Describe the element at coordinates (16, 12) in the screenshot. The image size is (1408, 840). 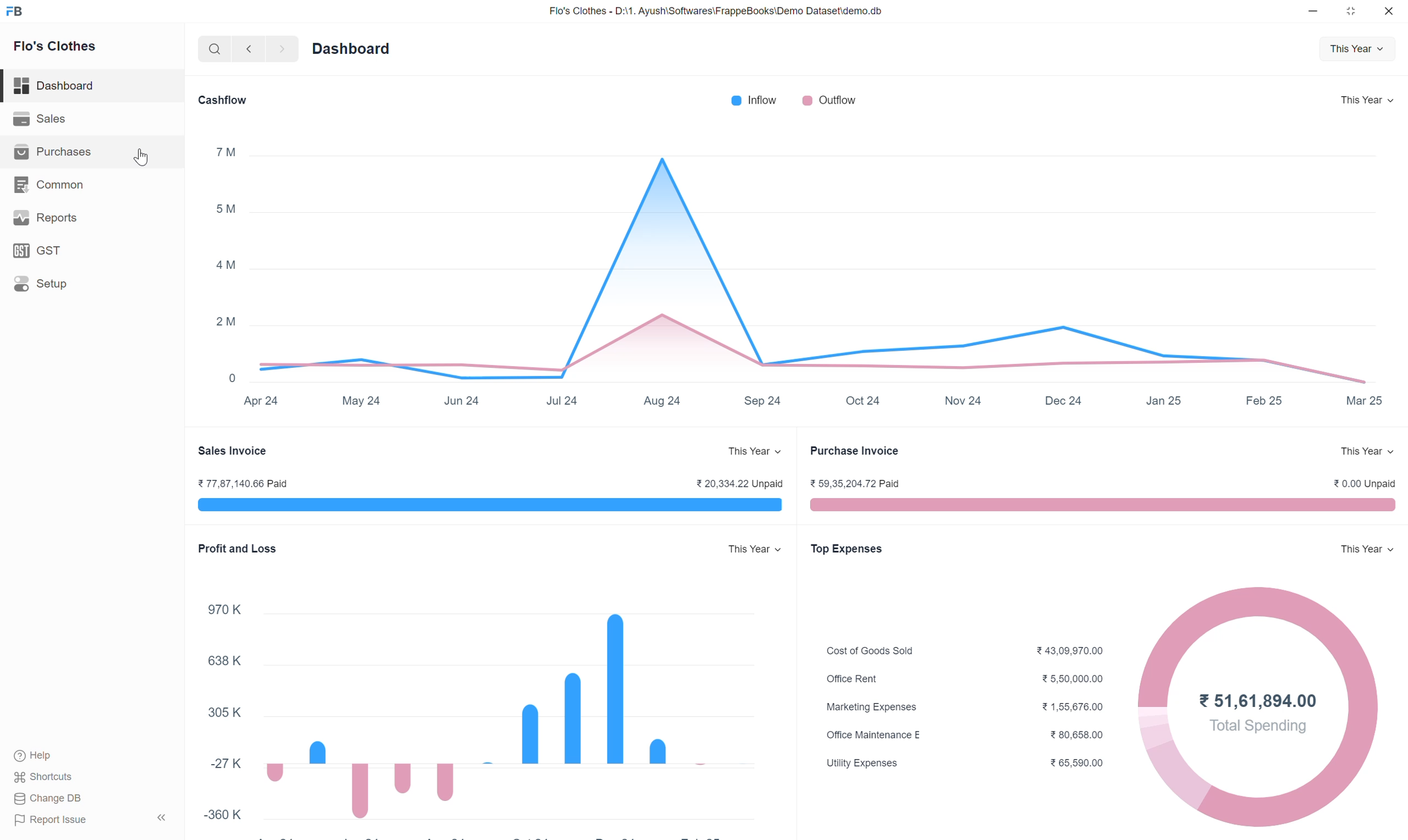
I see `FB logo` at that location.